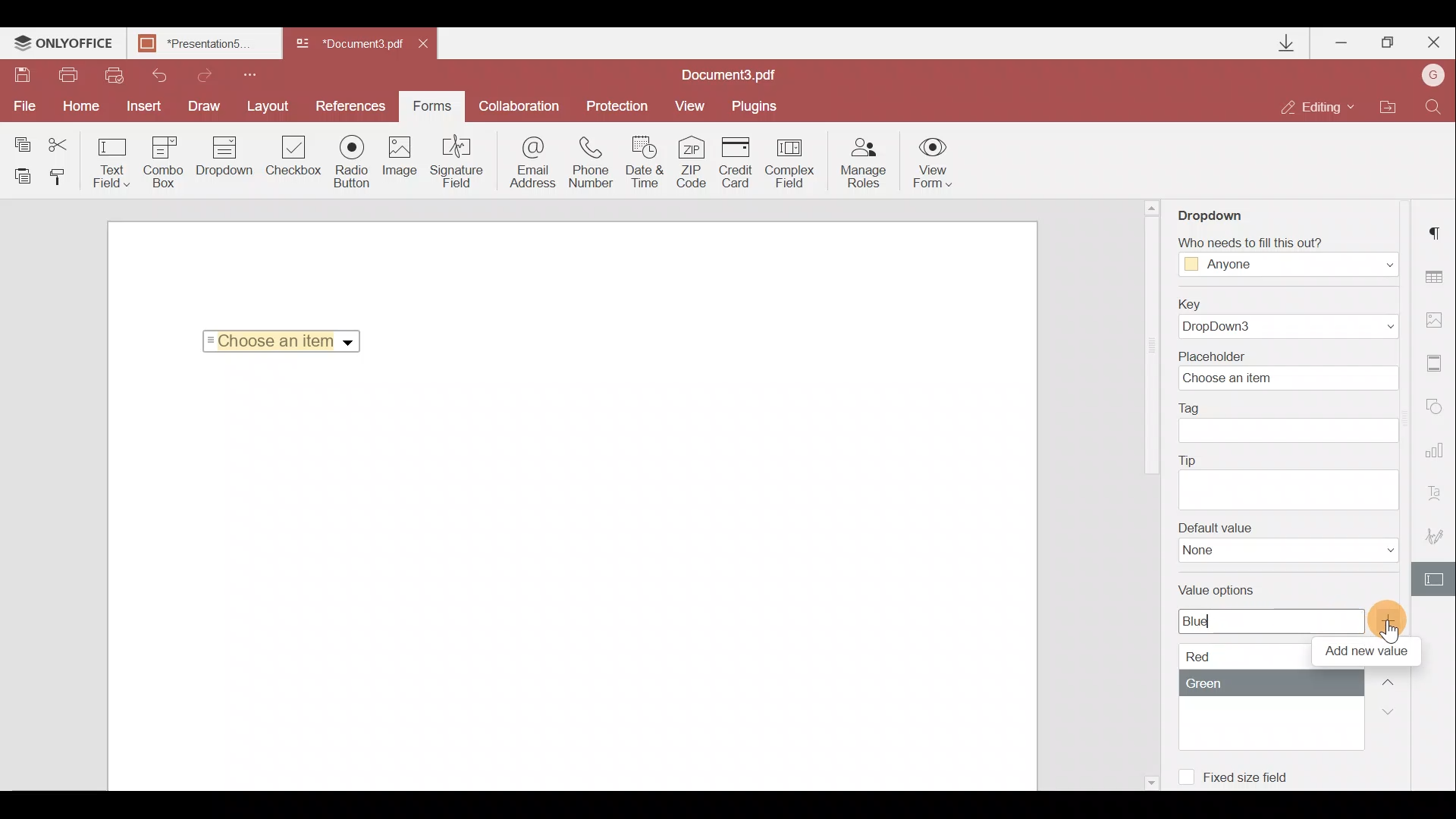  What do you see at coordinates (1439, 319) in the screenshot?
I see `Image settings` at bounding box center [1439, 319].